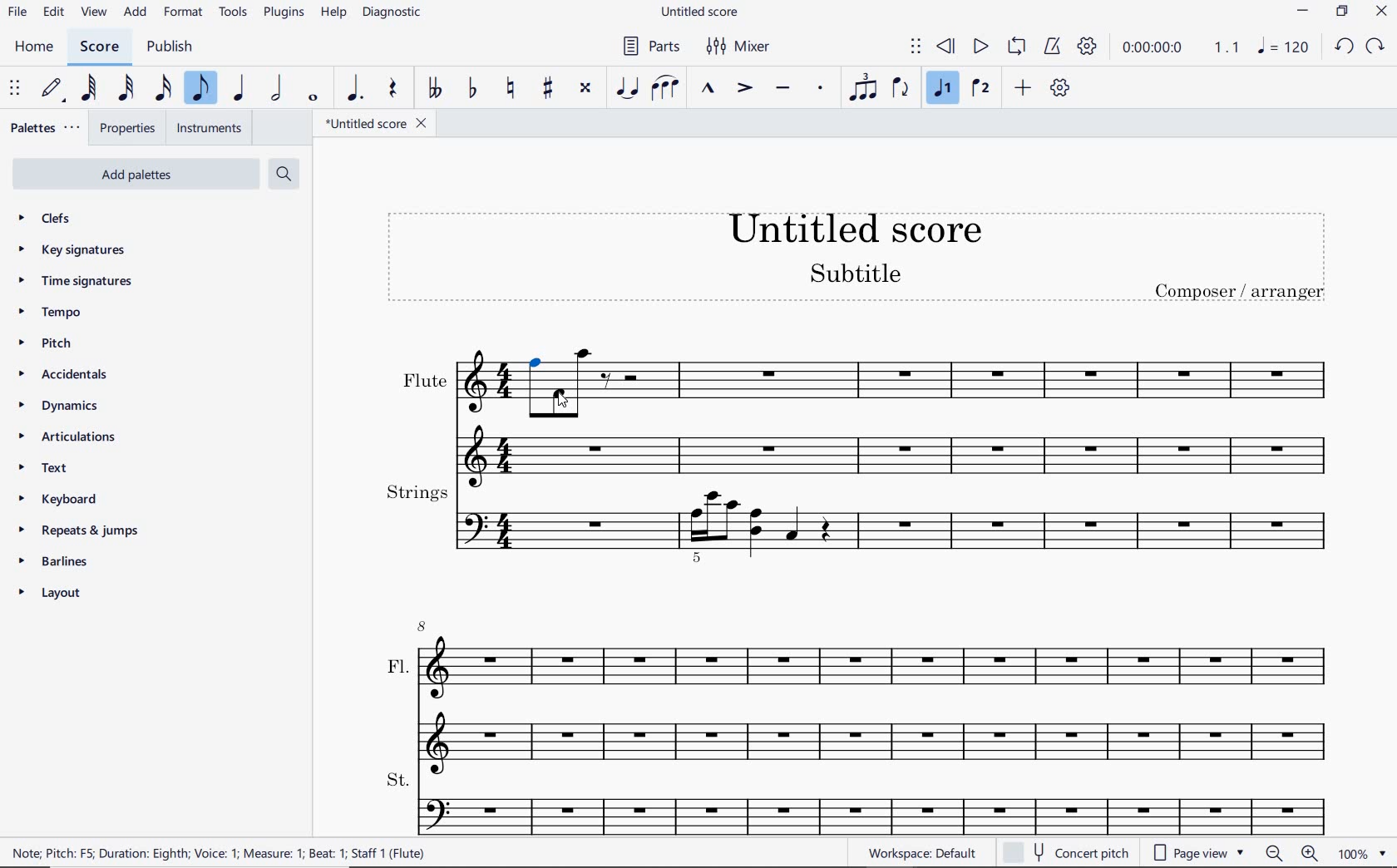 This screenshot has width=1397, height=868. What do you see at coordinates (875, 801) in the screenshot?
I see `st.` at bounding box center [875, 801].